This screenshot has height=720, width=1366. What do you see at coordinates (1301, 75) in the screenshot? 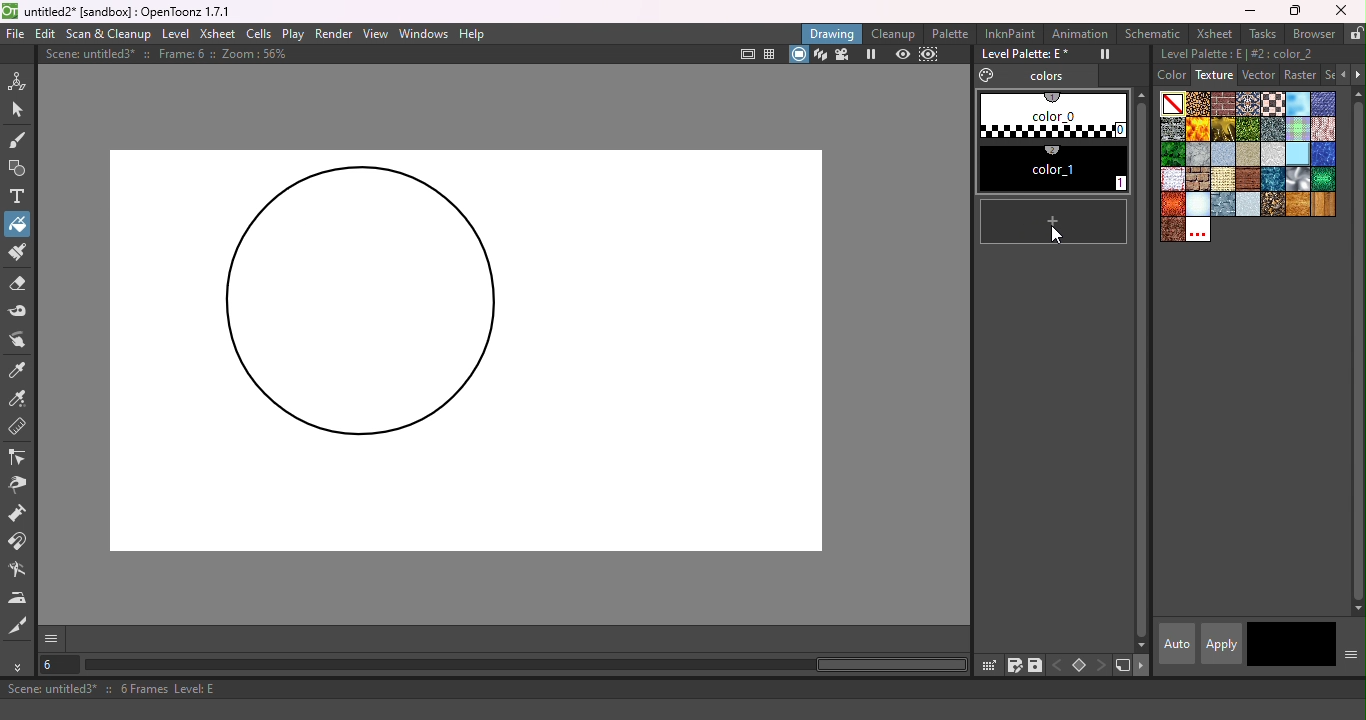
I see `Raster` at bounding box center [1301, 75].